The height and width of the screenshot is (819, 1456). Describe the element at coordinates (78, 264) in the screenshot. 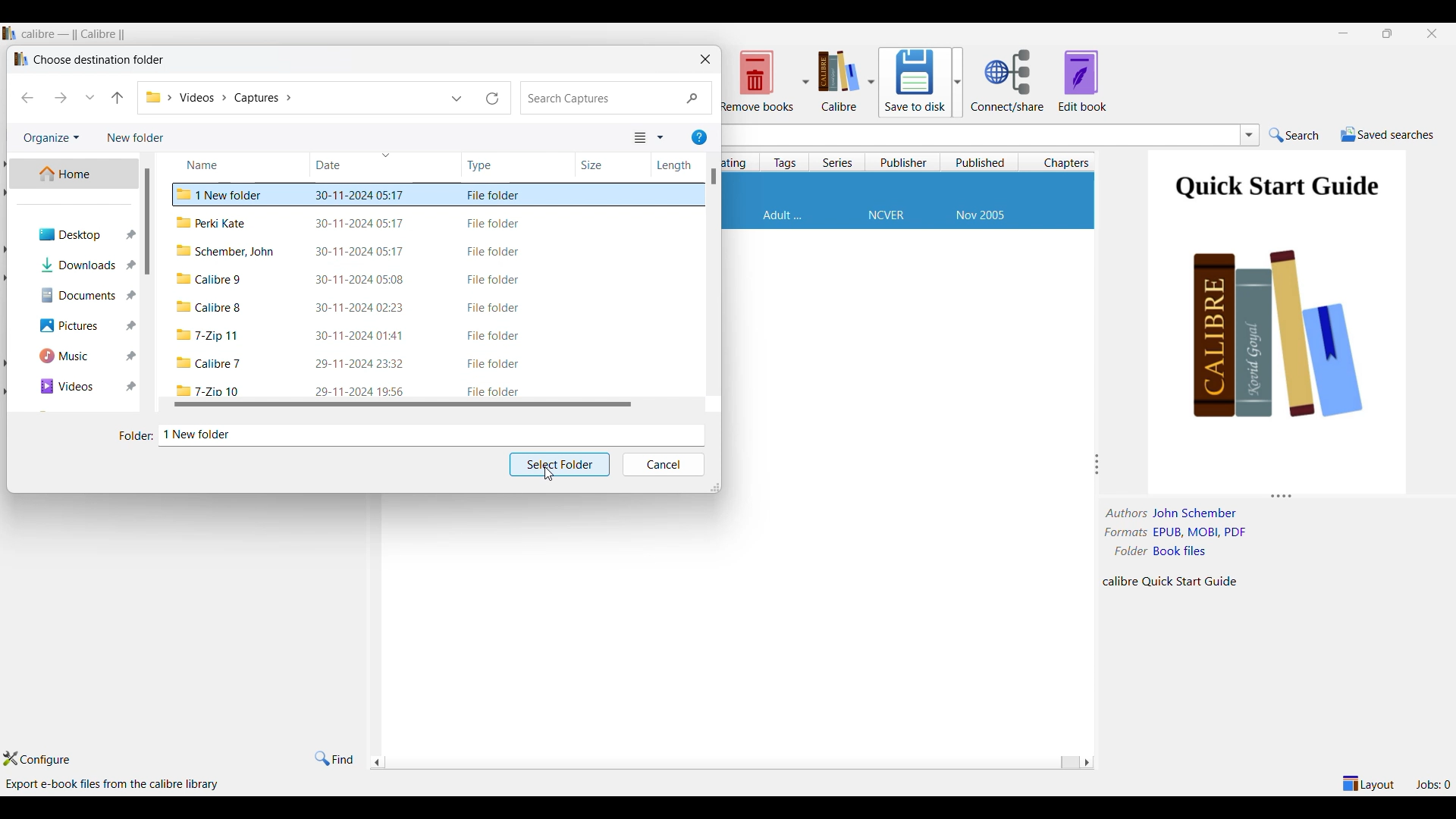

I see `Downloads` at that location.